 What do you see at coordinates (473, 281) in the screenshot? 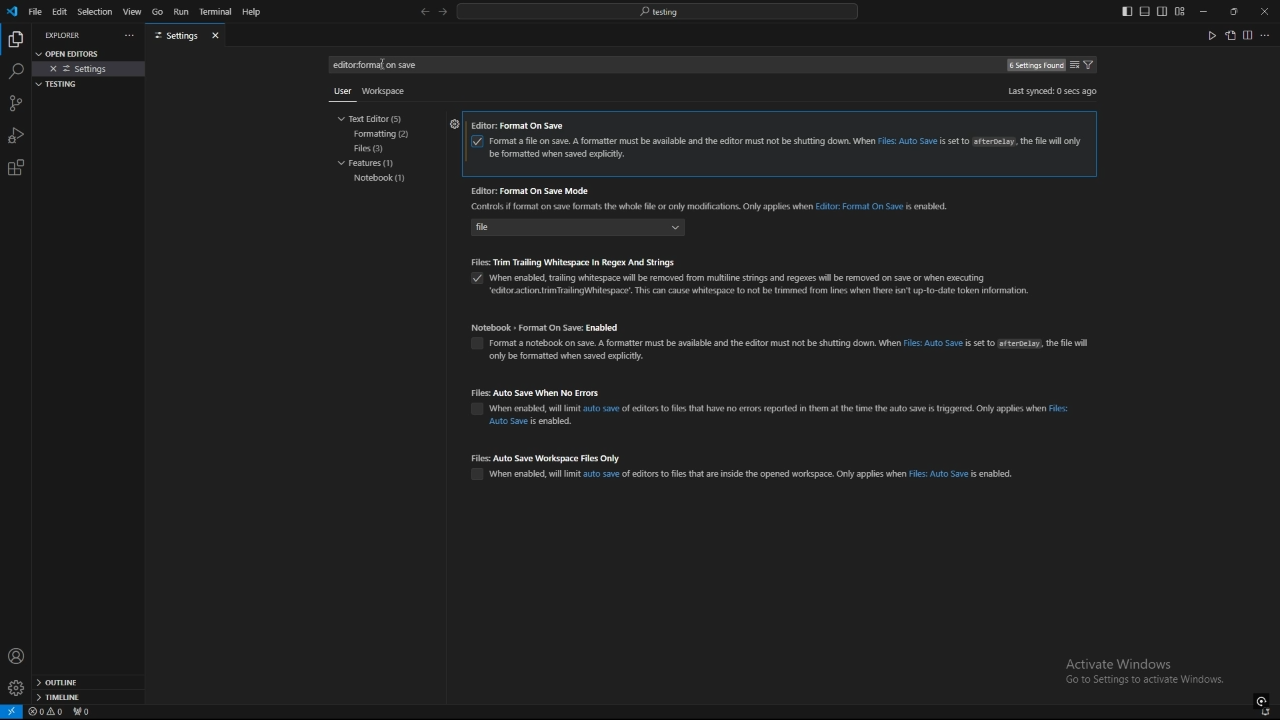
I see `checked` at bounding box center [473, 281].